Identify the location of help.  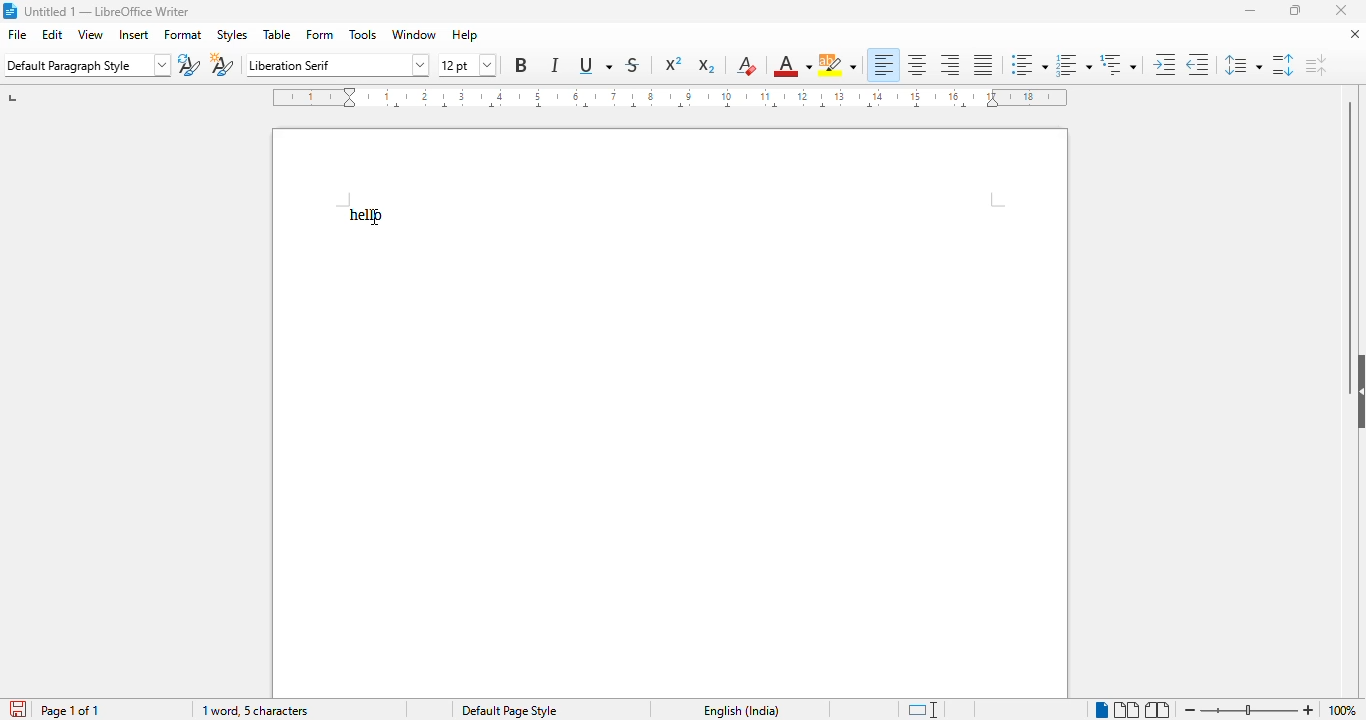
(465, 35).